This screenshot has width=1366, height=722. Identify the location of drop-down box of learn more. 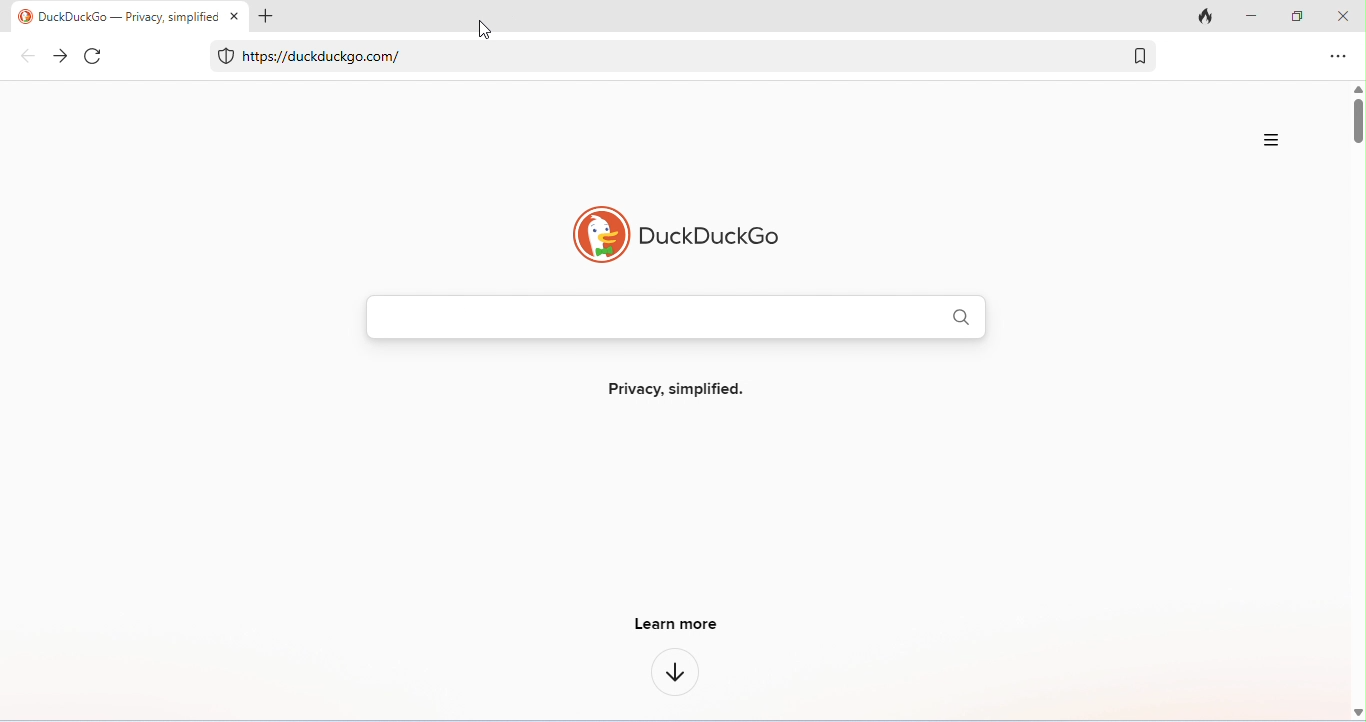
(676, 669).